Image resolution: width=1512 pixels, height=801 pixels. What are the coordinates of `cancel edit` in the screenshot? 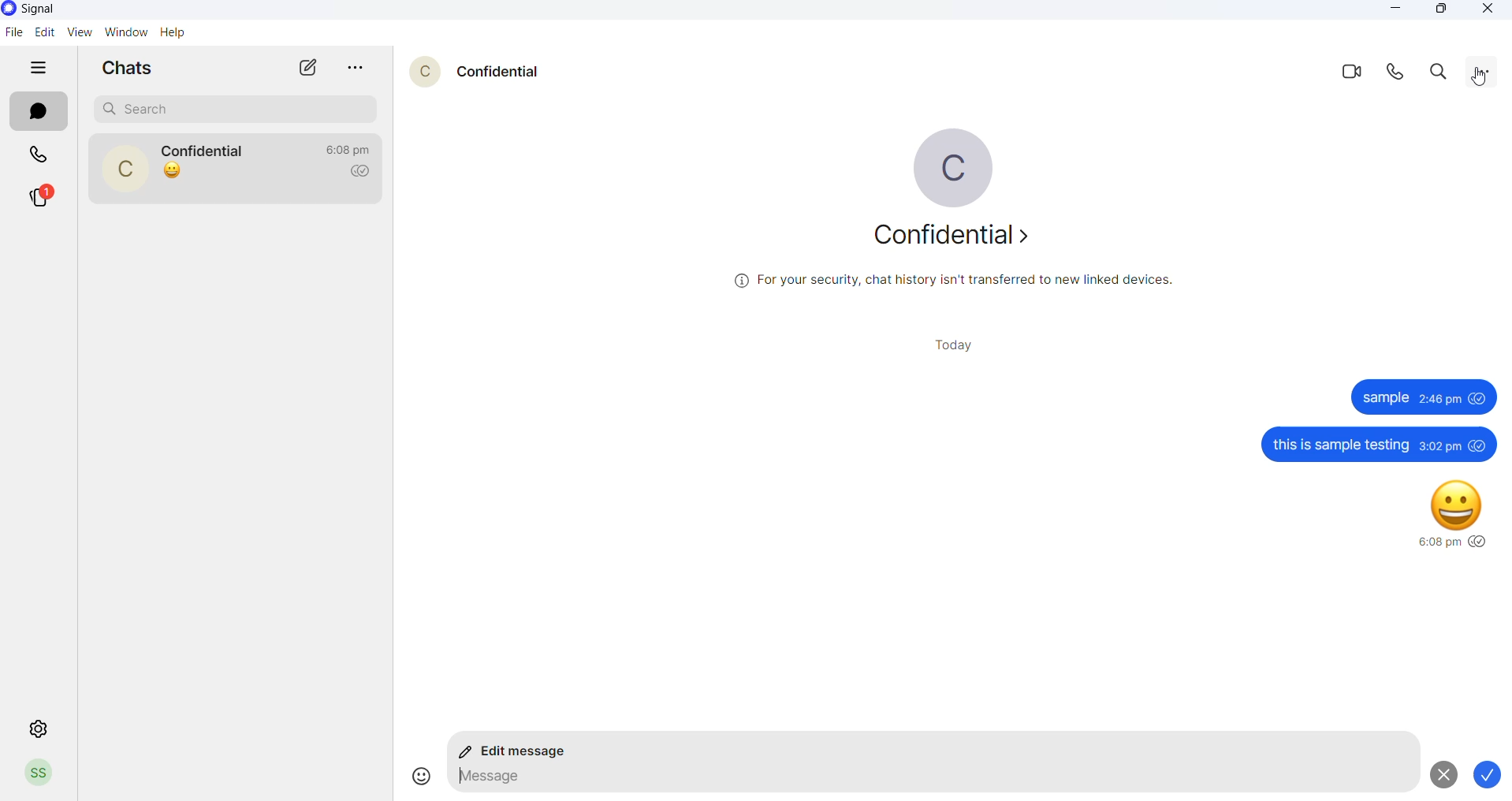 It's located at (1441, 774).